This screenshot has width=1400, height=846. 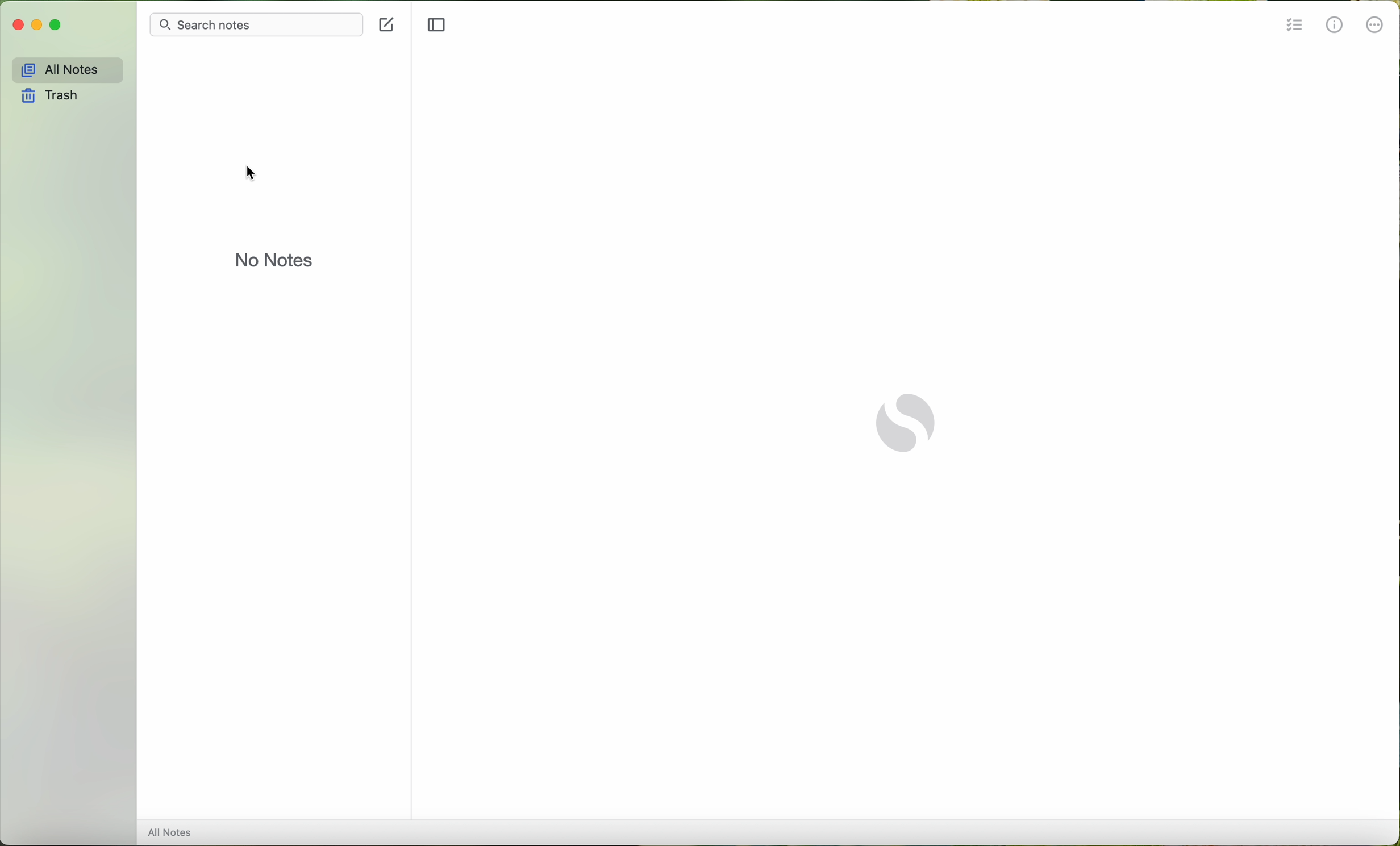 What do you see at coordinates (258, 25) in the screenshot?
I see `search notes` at bounding box center [258, 25].